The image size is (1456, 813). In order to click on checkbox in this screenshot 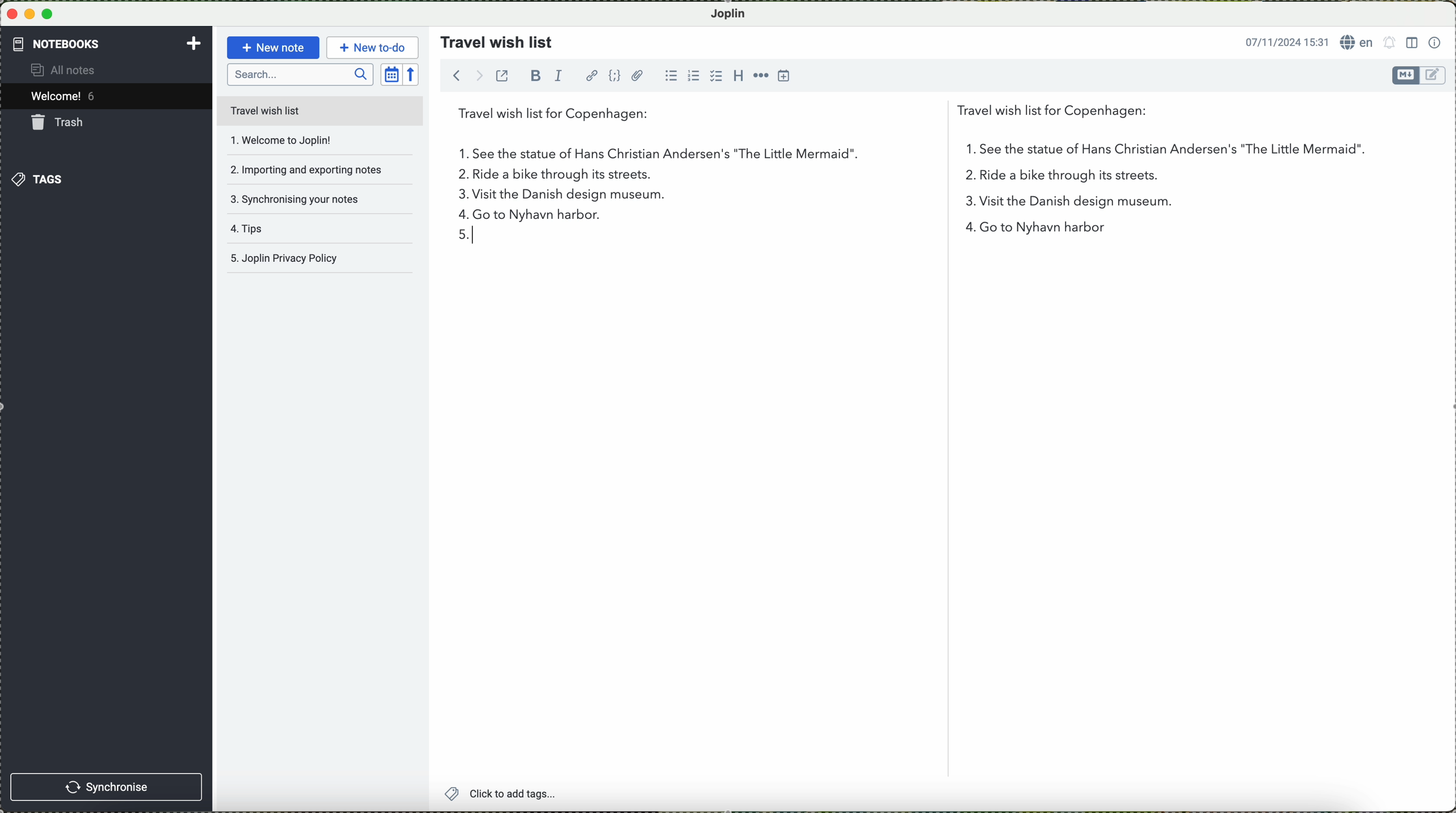, I will do `click(714, 76)`.